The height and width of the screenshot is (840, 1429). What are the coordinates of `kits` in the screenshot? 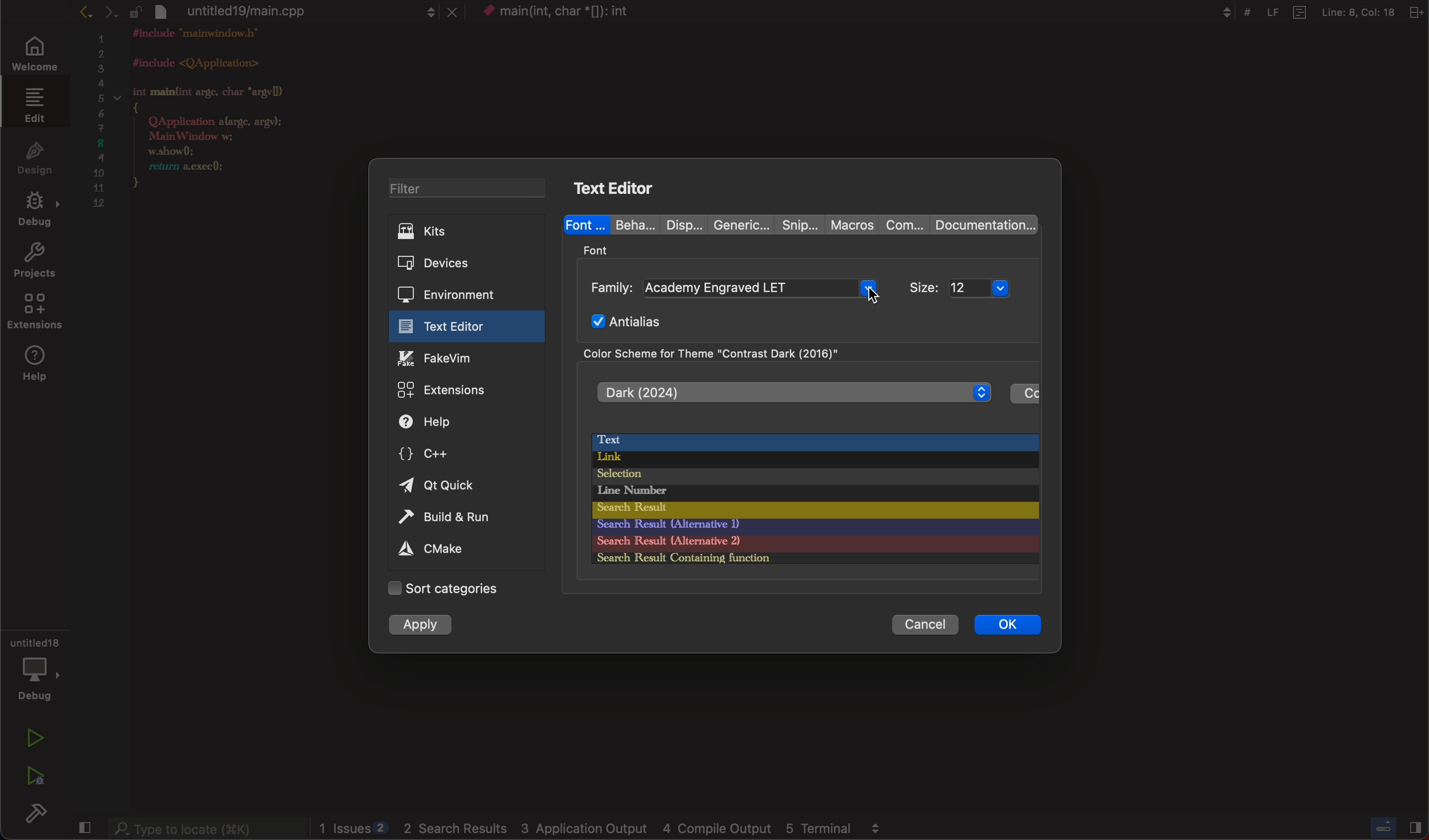 It's located at (467, 231).